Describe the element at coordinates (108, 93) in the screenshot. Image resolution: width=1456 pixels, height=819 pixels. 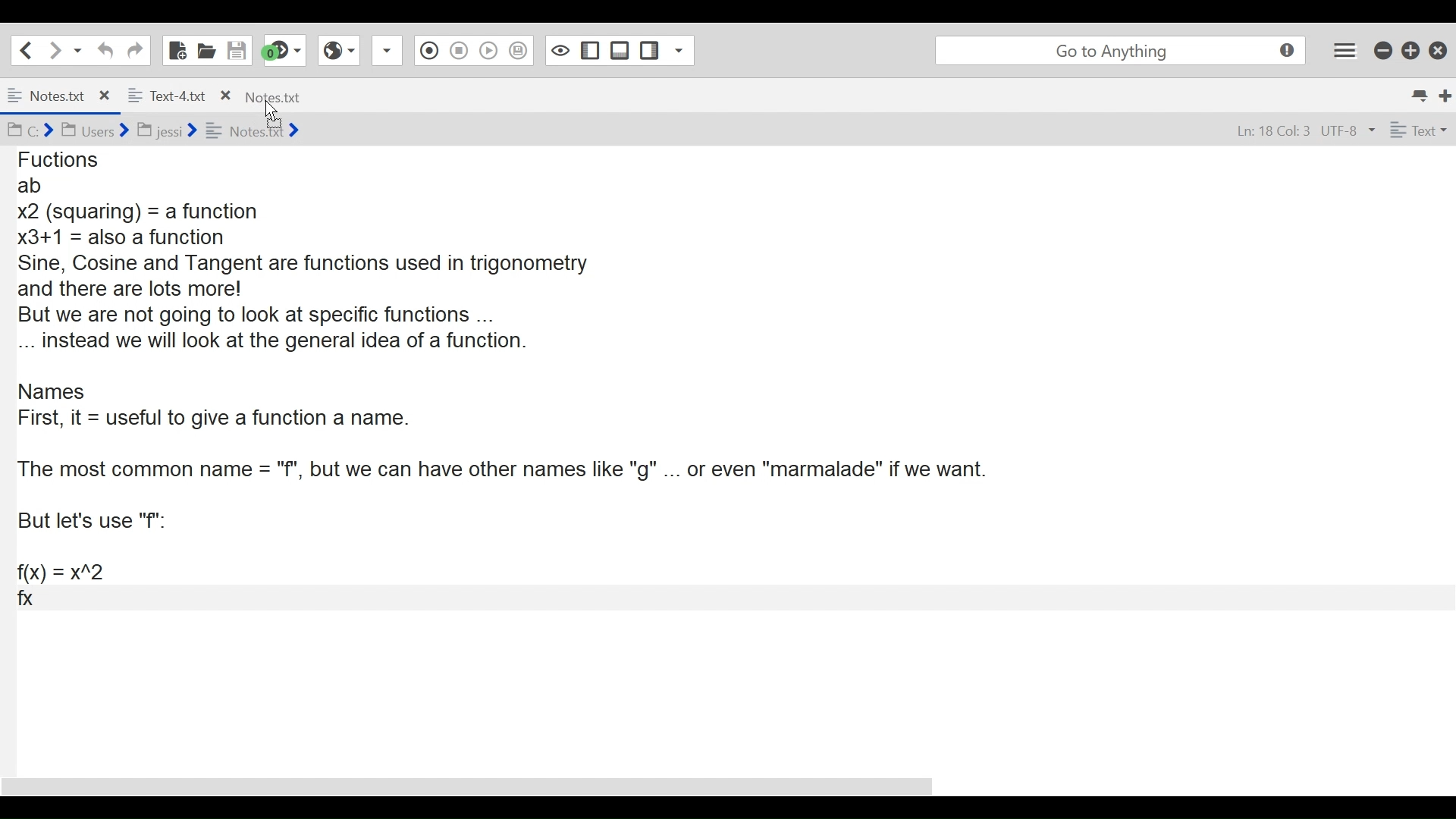
I see `close` at that location.